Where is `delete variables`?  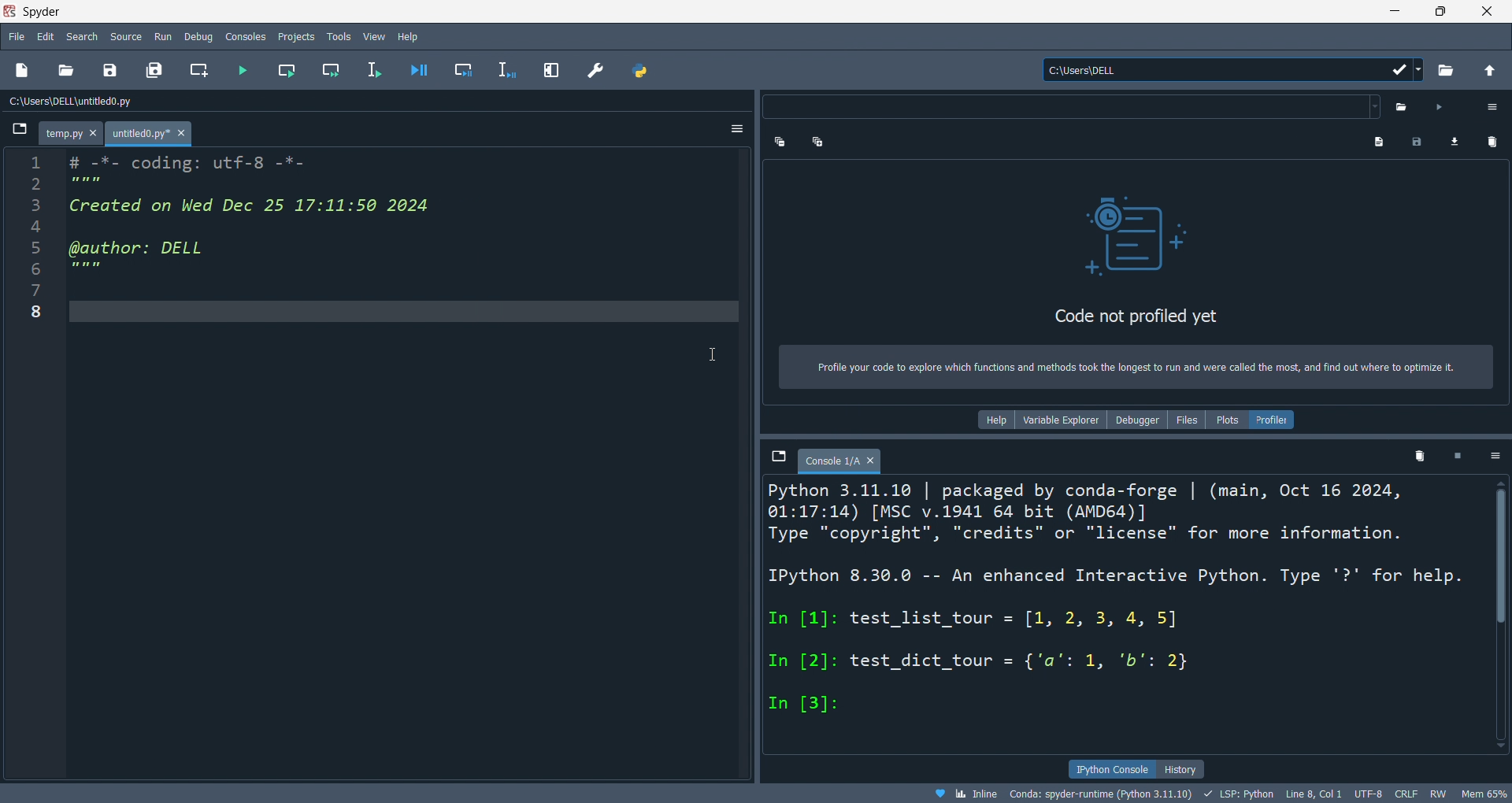 delete variables is located at coordinates (1417, 459).